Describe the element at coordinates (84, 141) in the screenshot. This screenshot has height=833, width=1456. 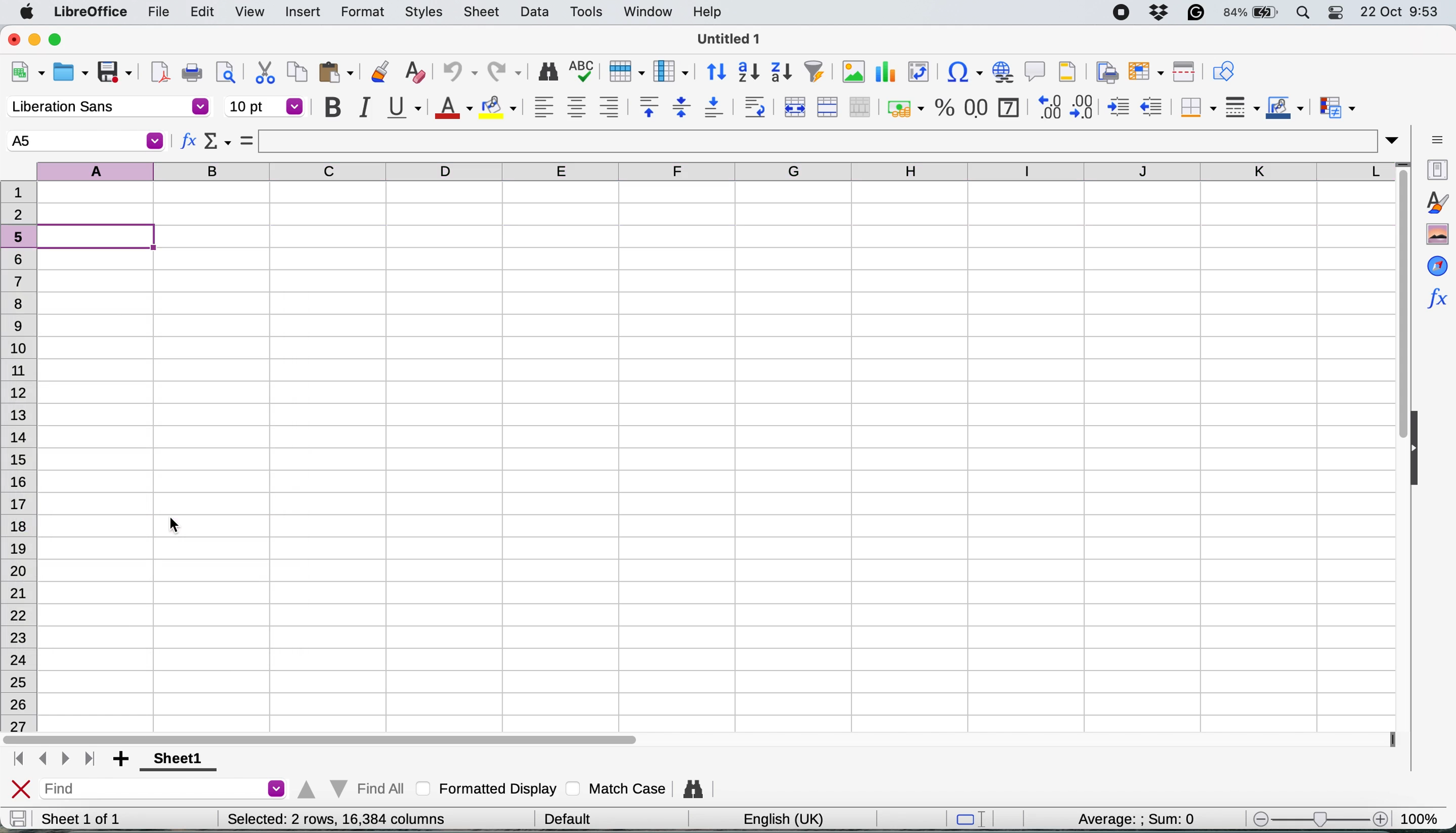
I see `selected cell` at that location.